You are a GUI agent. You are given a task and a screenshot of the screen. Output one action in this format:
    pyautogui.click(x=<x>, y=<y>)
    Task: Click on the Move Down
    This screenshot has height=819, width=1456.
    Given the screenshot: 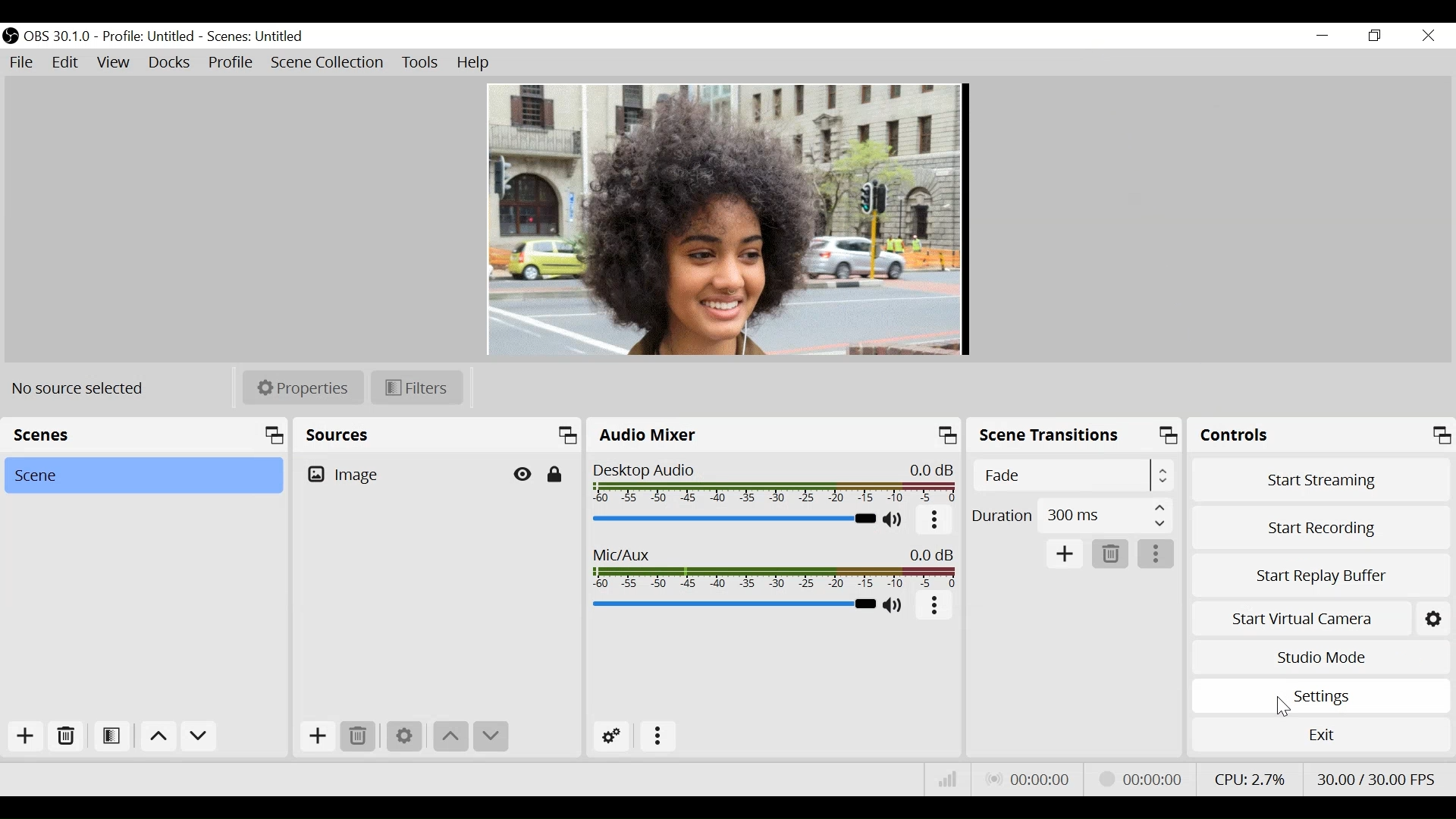 What is the action you would take?
    pyautogui.click(x=197, y=738)
    